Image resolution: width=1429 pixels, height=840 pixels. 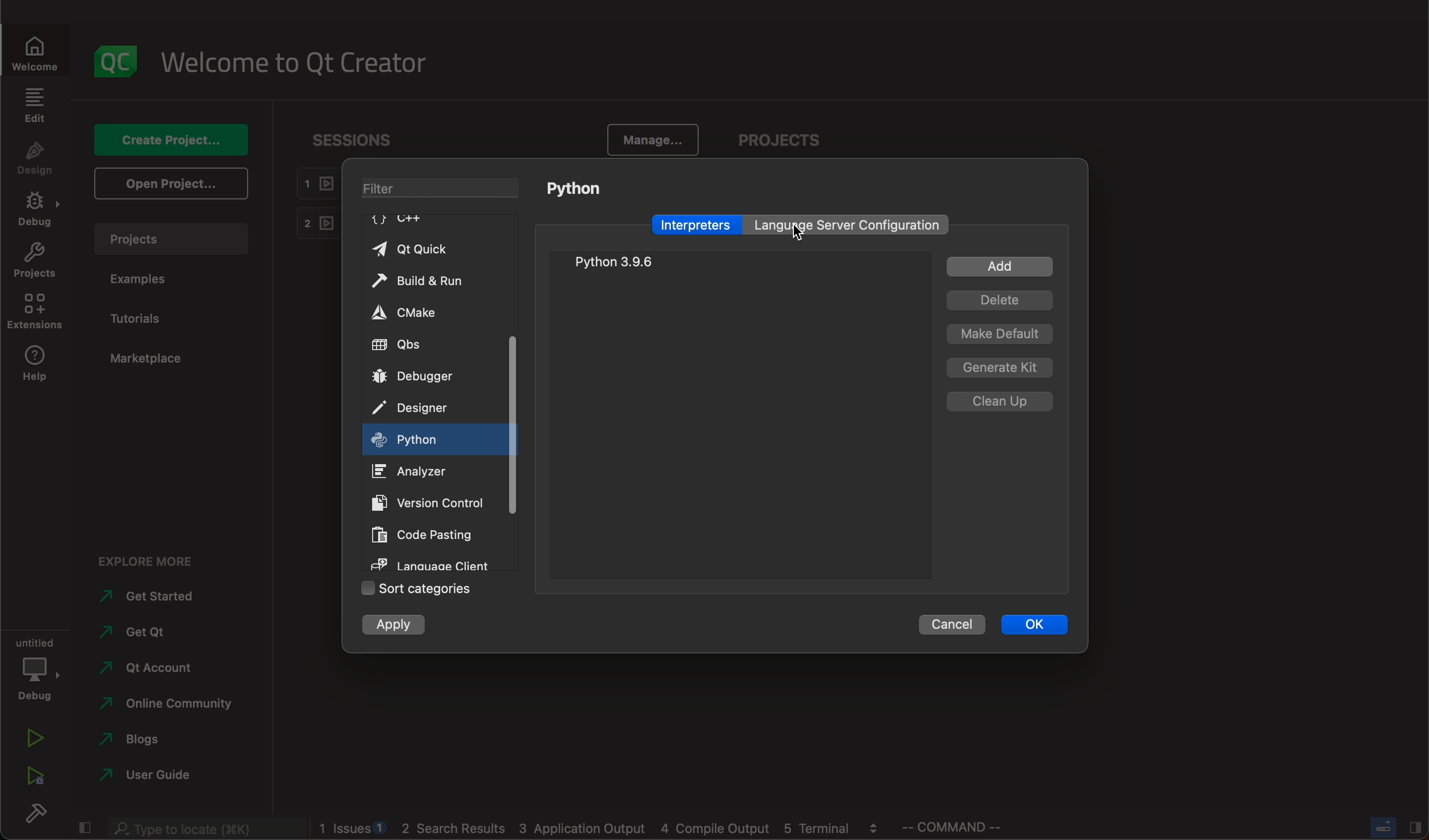 I want to click on build and run, so click(x=425, y=278).